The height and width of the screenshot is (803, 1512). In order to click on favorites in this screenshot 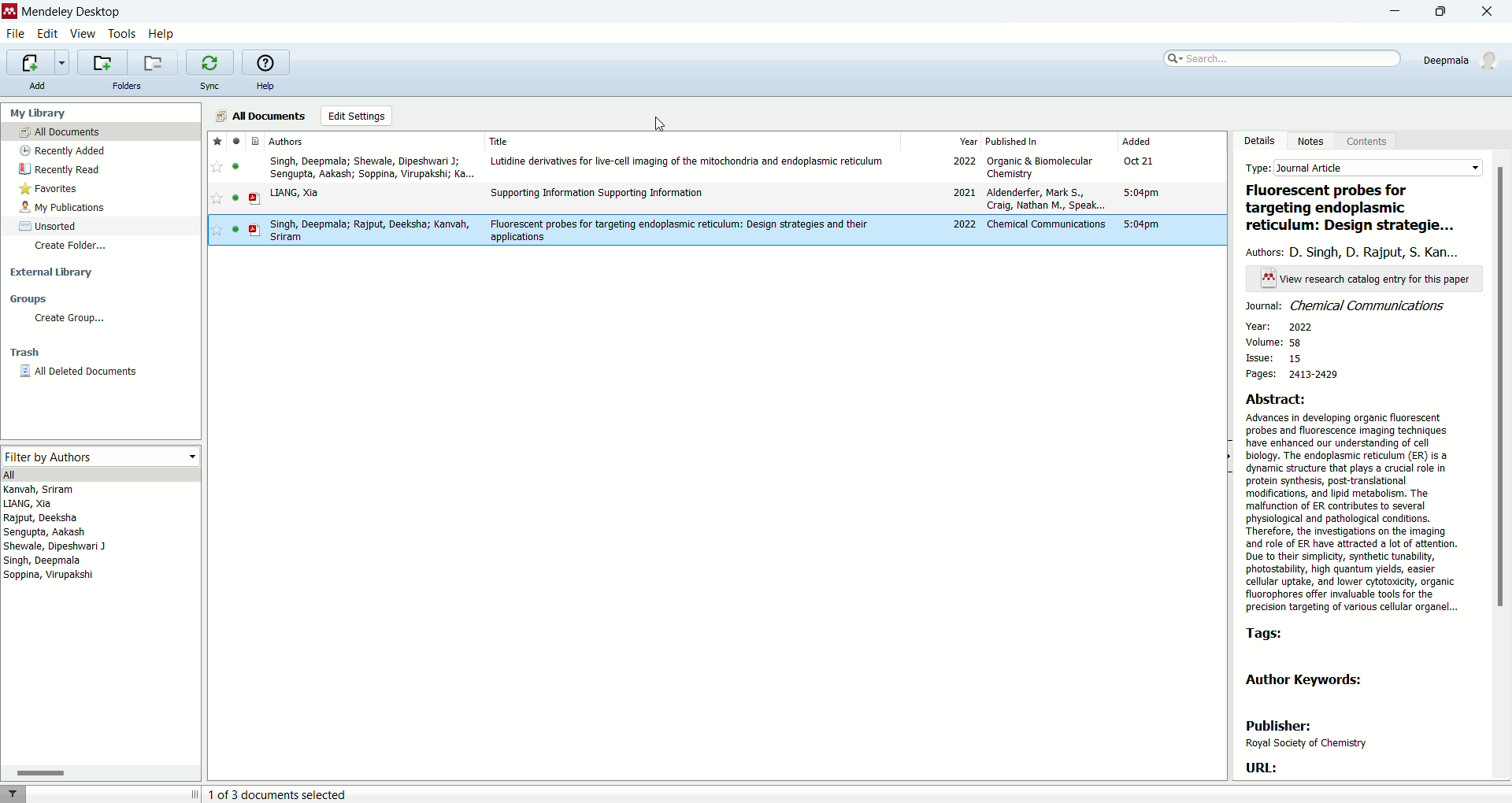, I will do `click(52, 190)`.